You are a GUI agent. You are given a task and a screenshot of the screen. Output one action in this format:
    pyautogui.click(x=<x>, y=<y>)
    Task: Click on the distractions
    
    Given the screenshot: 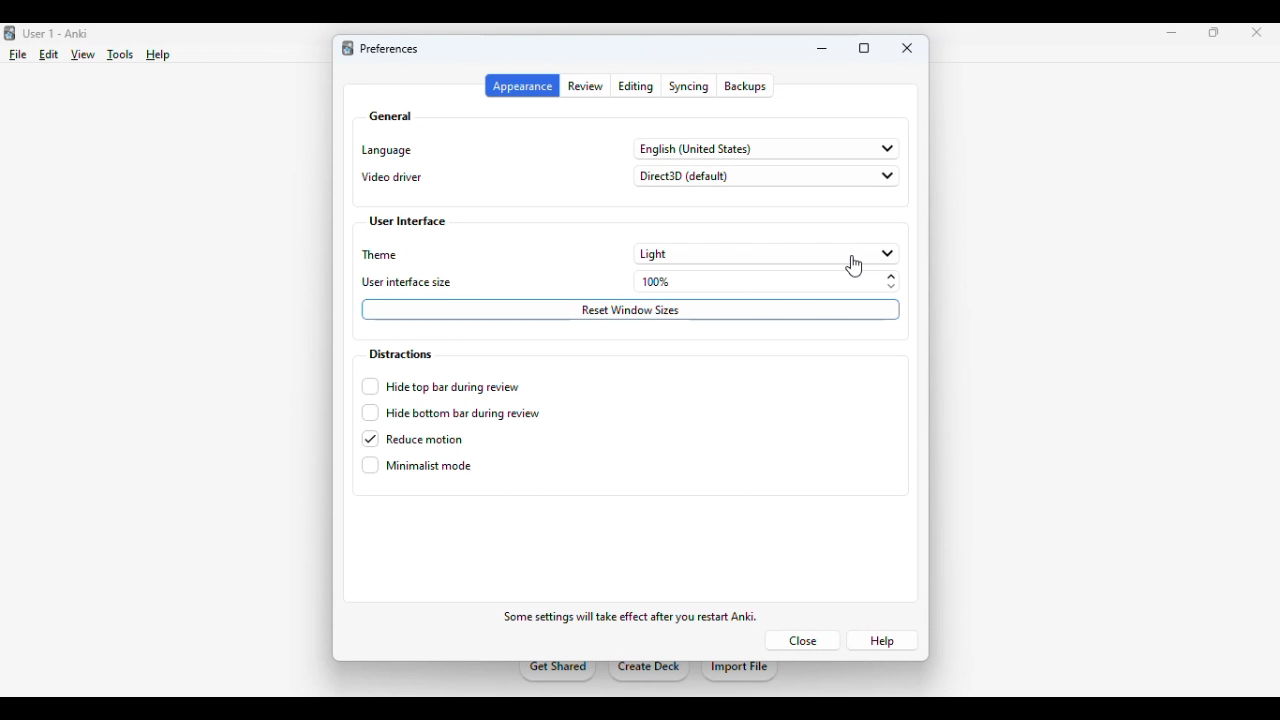 What is the action you would take?
    pyautogui.click(x=399, y=354)
    